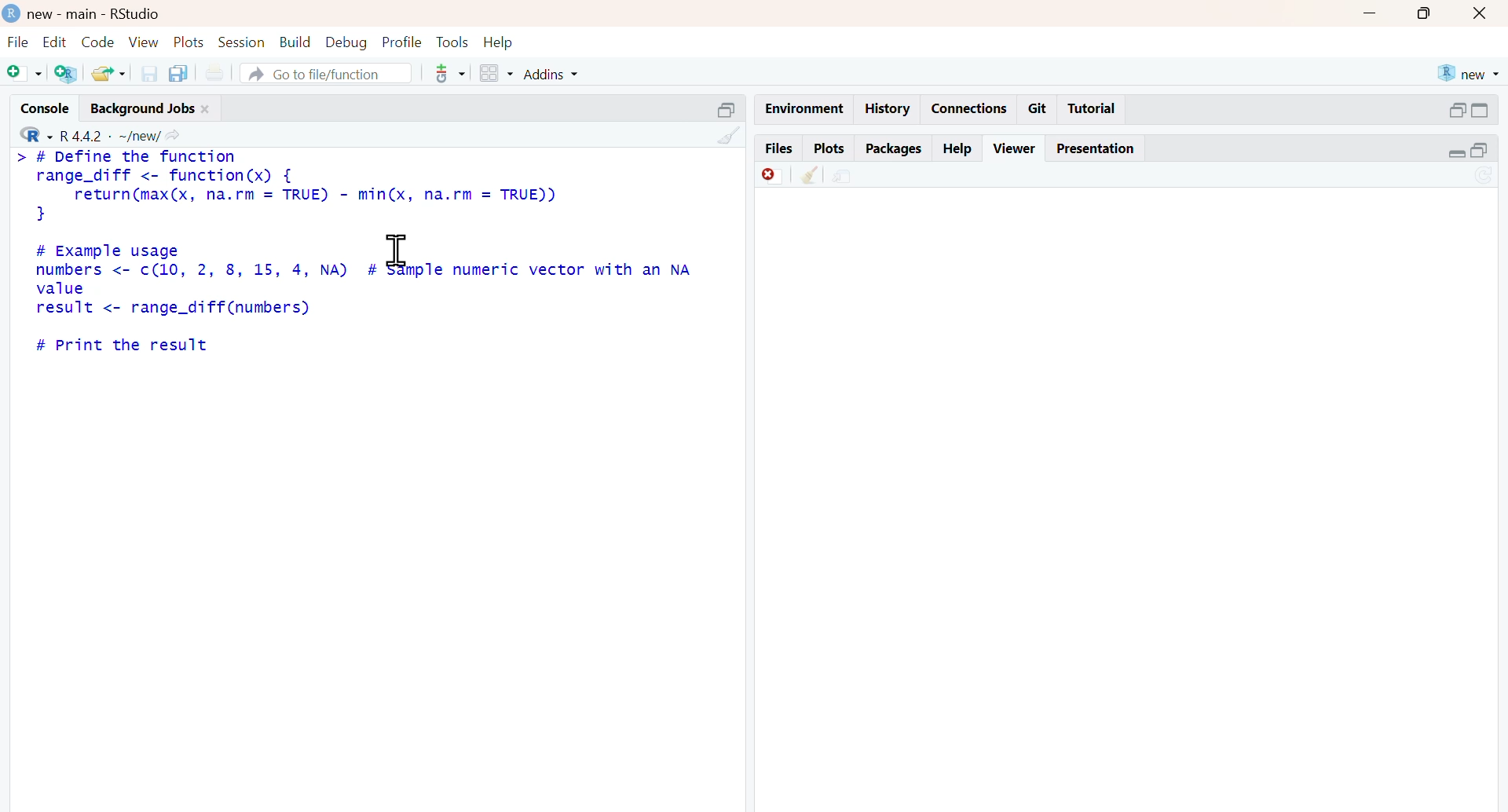 This screenshot has height=812, width=1508. I want to click on copy, so click(178, 73).